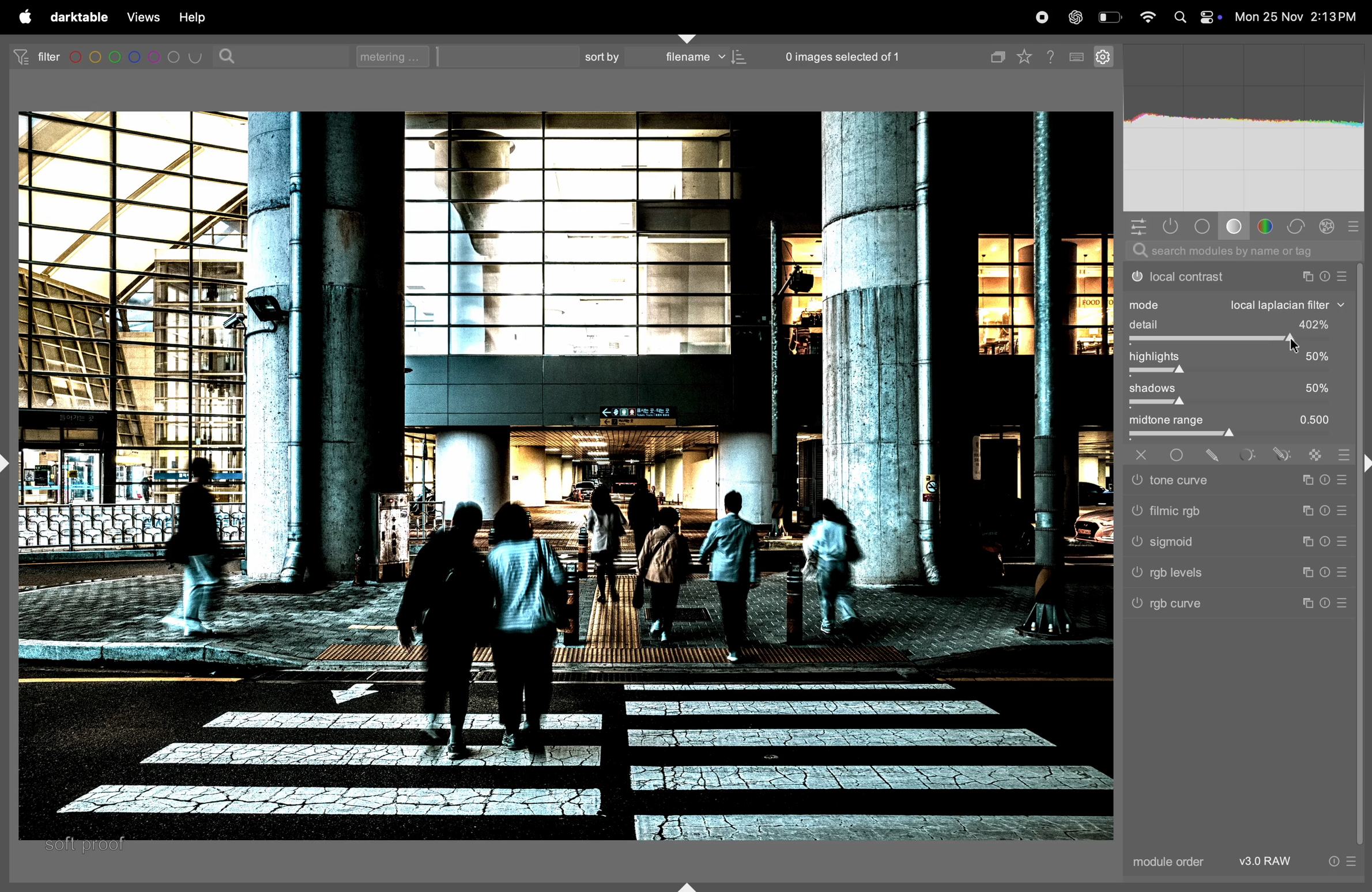 This screenshot has width=1372, height=892. I want to click on toggle, so click(1242, 436).